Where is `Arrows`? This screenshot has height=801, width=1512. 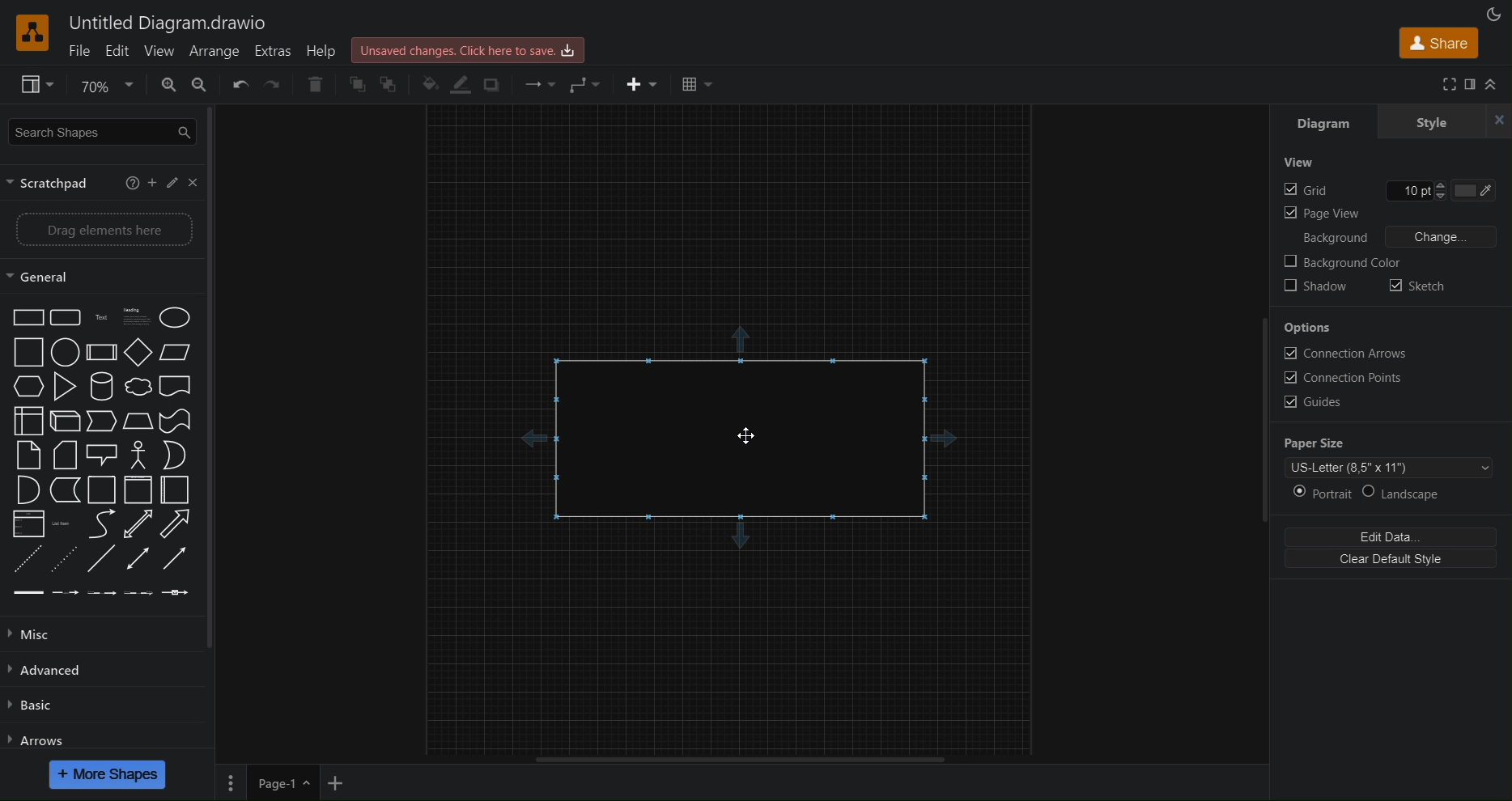
Arrows is located at coordinates (41, 740).